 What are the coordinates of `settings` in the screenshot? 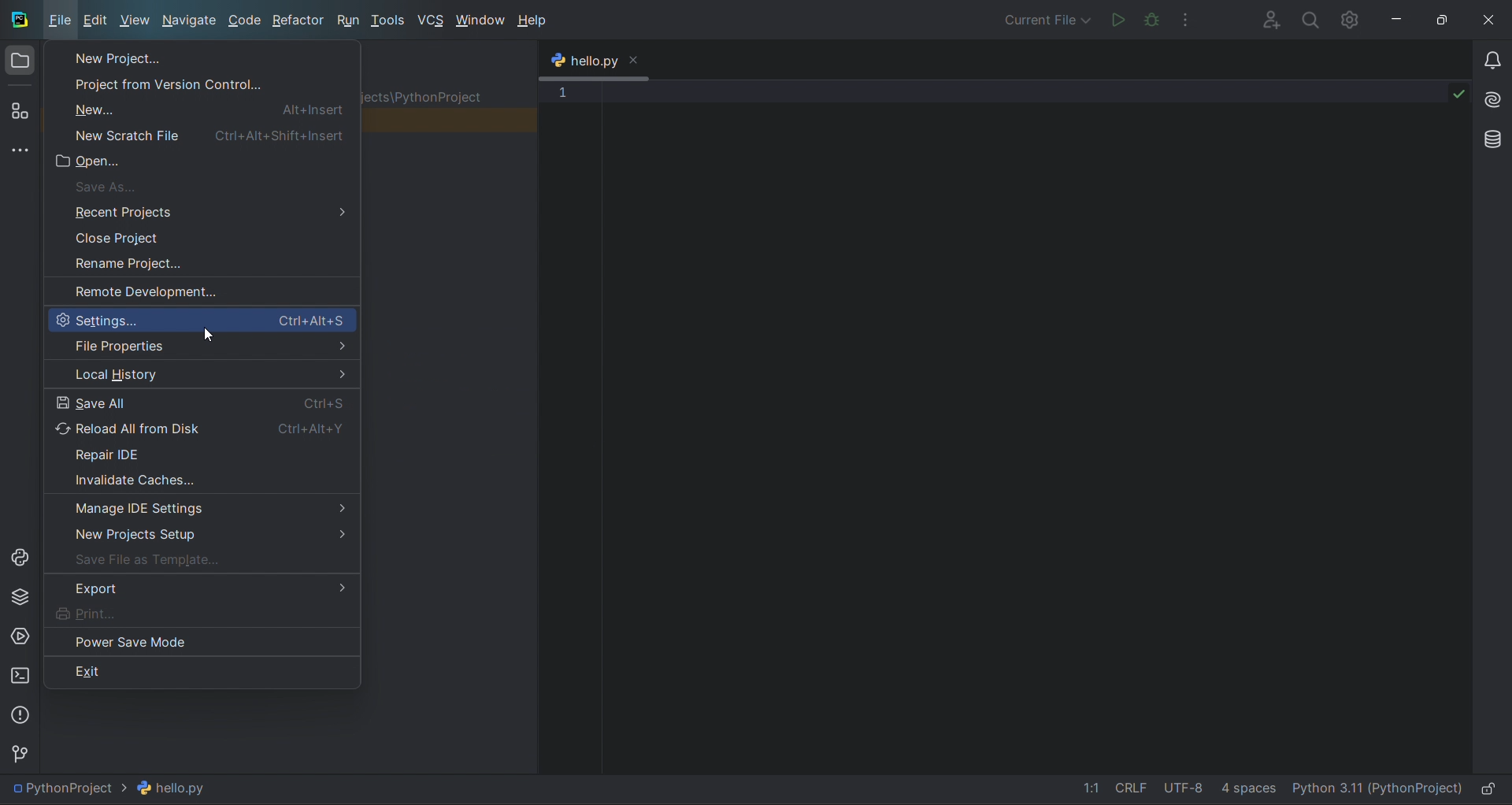 It's located at (1353, 20).